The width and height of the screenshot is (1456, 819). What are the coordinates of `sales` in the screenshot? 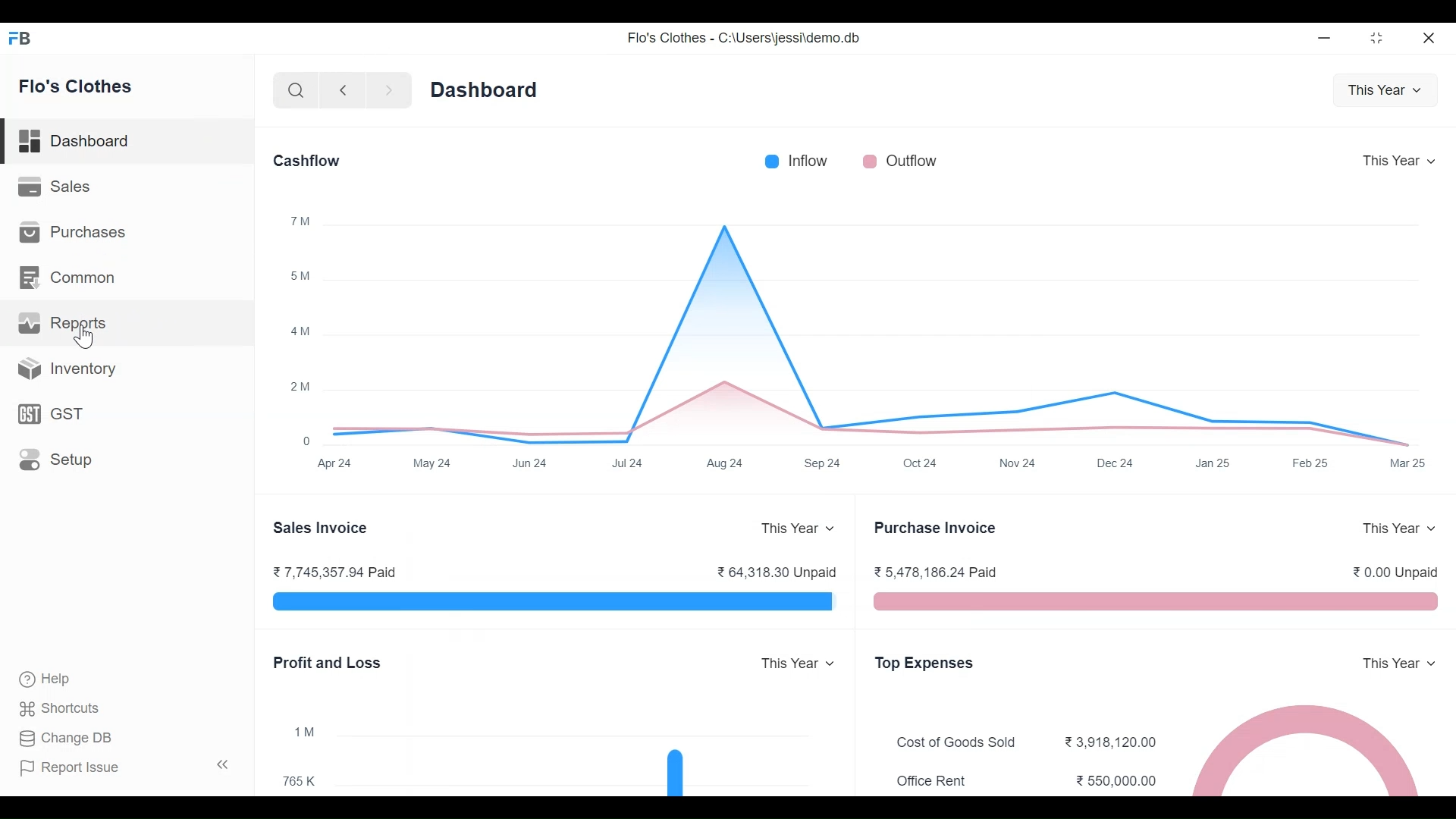 It's located at (57, 187).